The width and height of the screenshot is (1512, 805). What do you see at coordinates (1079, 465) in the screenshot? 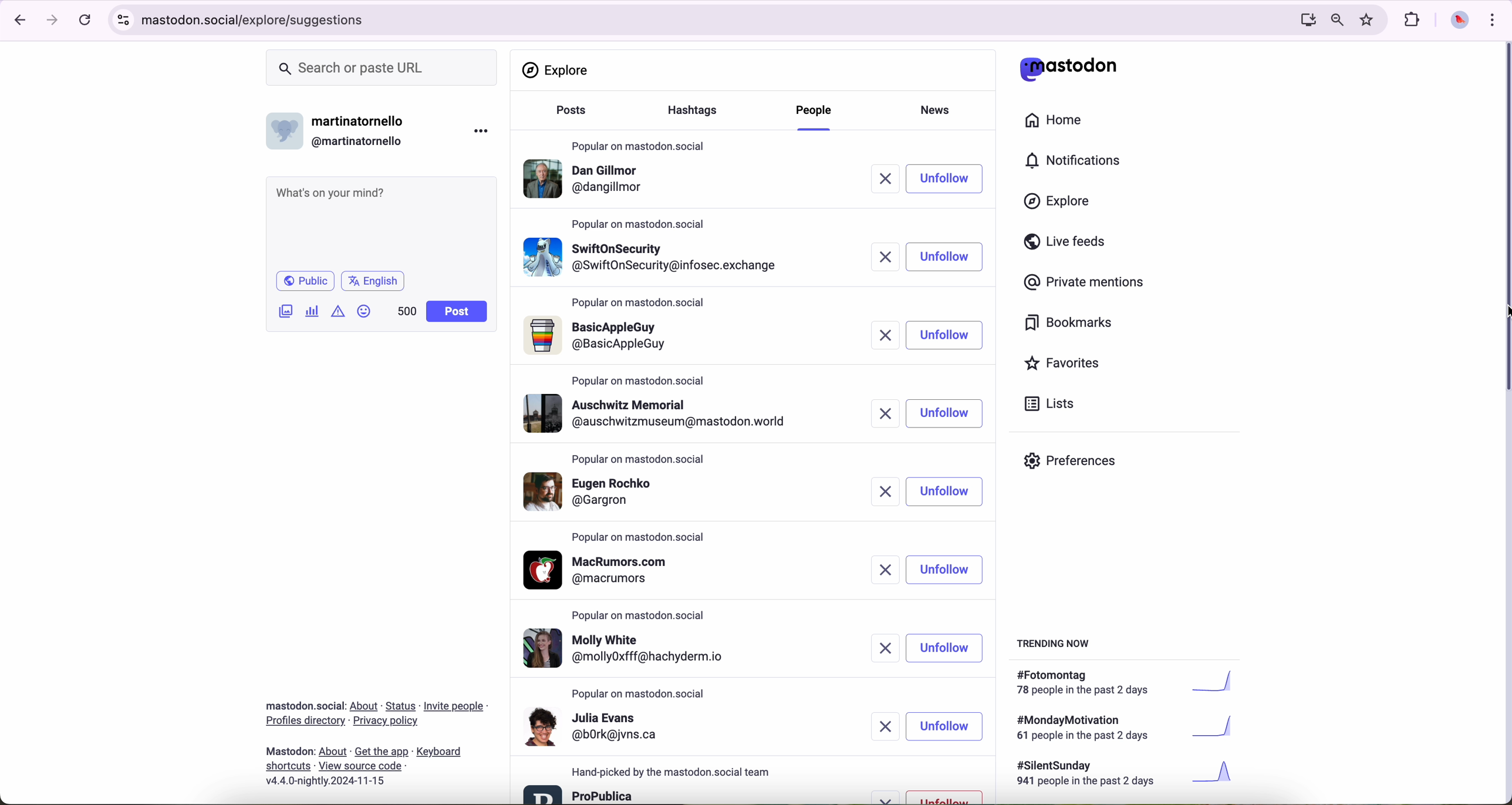
I see `preferences` at bounding box center [1079, 465].